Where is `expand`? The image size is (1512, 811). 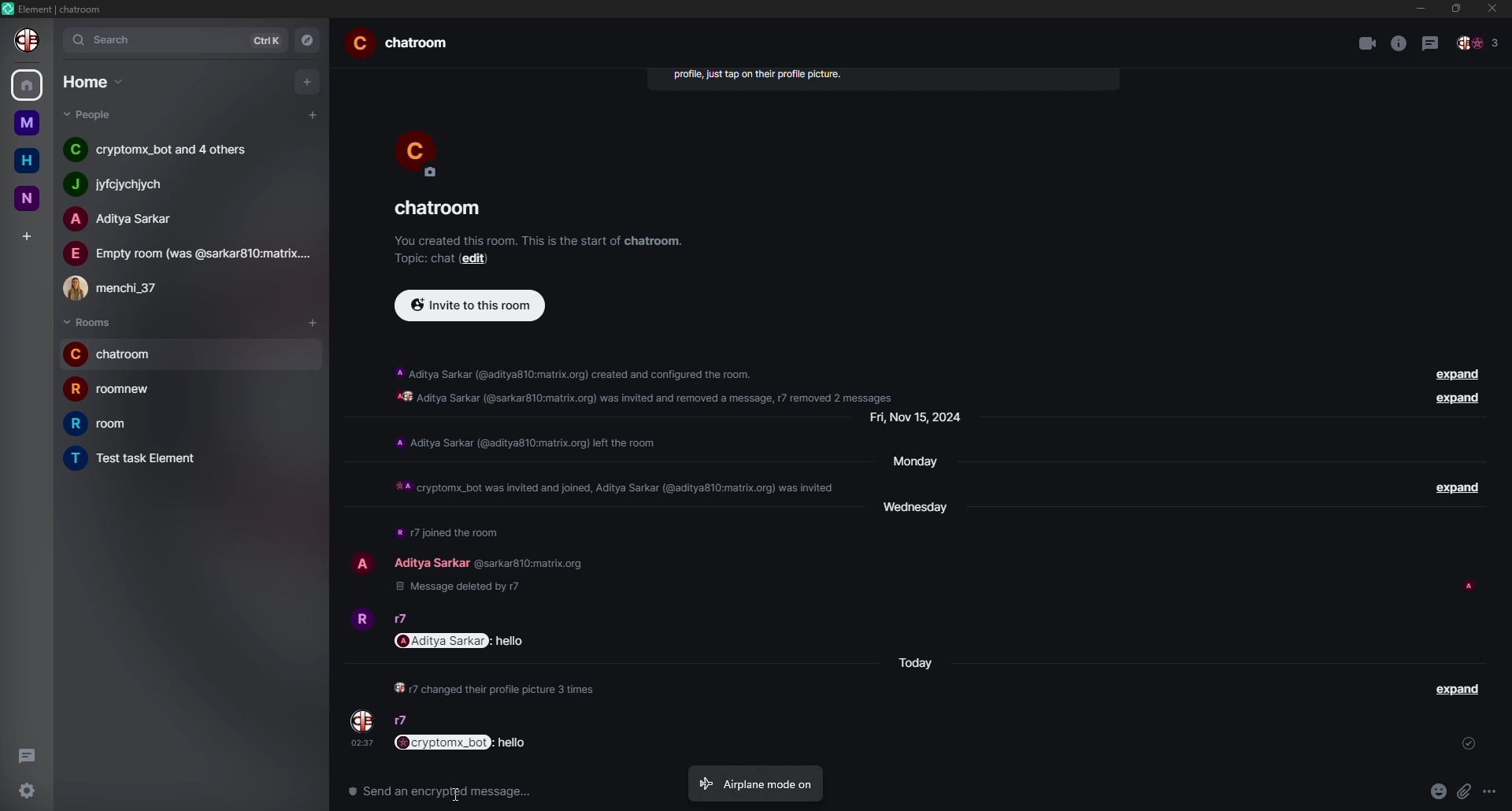
expand is located at coordinates (1458, 400).